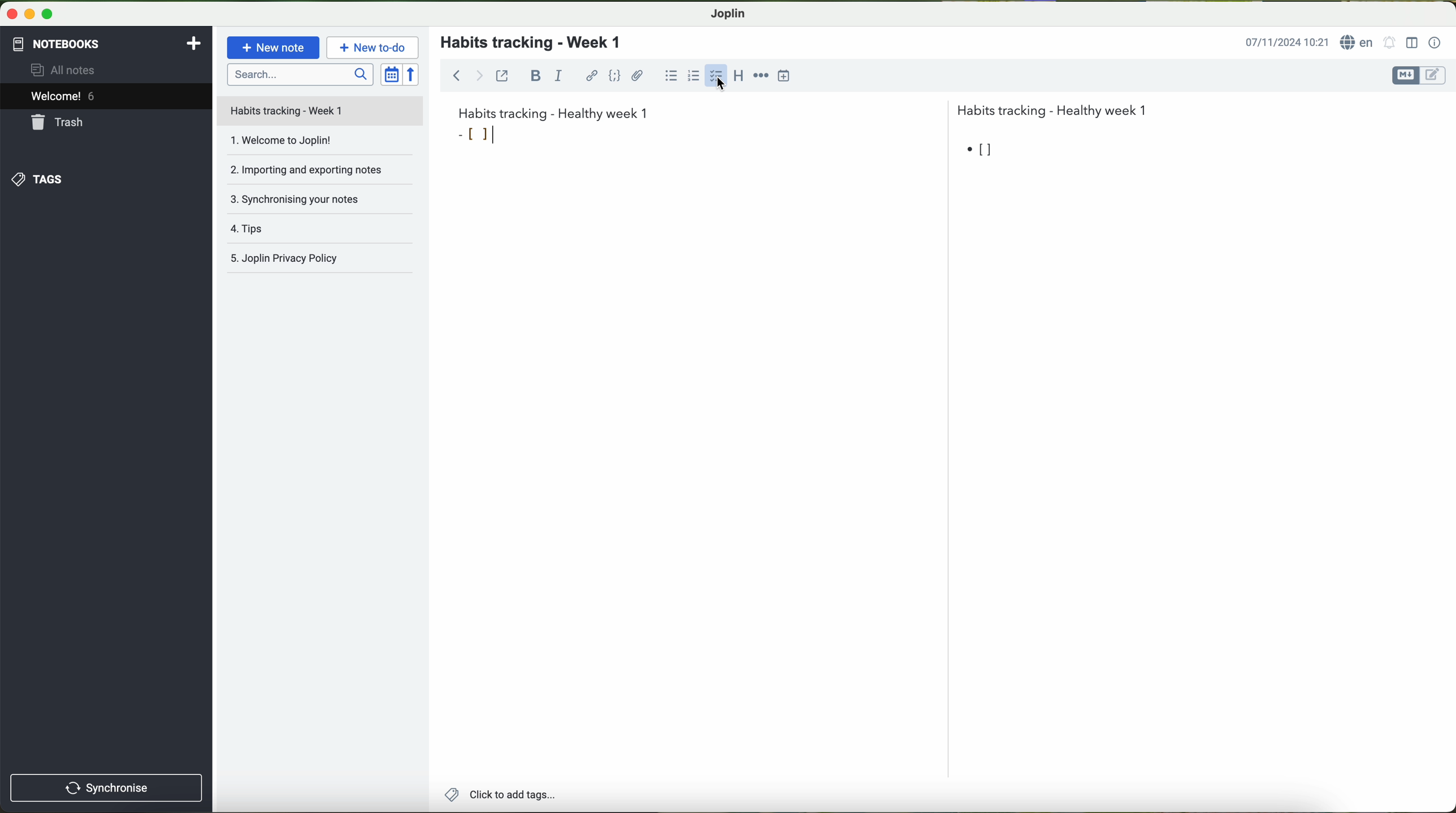 Image resolution: width=1456 pixels, height=813 pixels. Describe the element at coordinates (274, 47) in the screenshot. I see `new note button` at that location.